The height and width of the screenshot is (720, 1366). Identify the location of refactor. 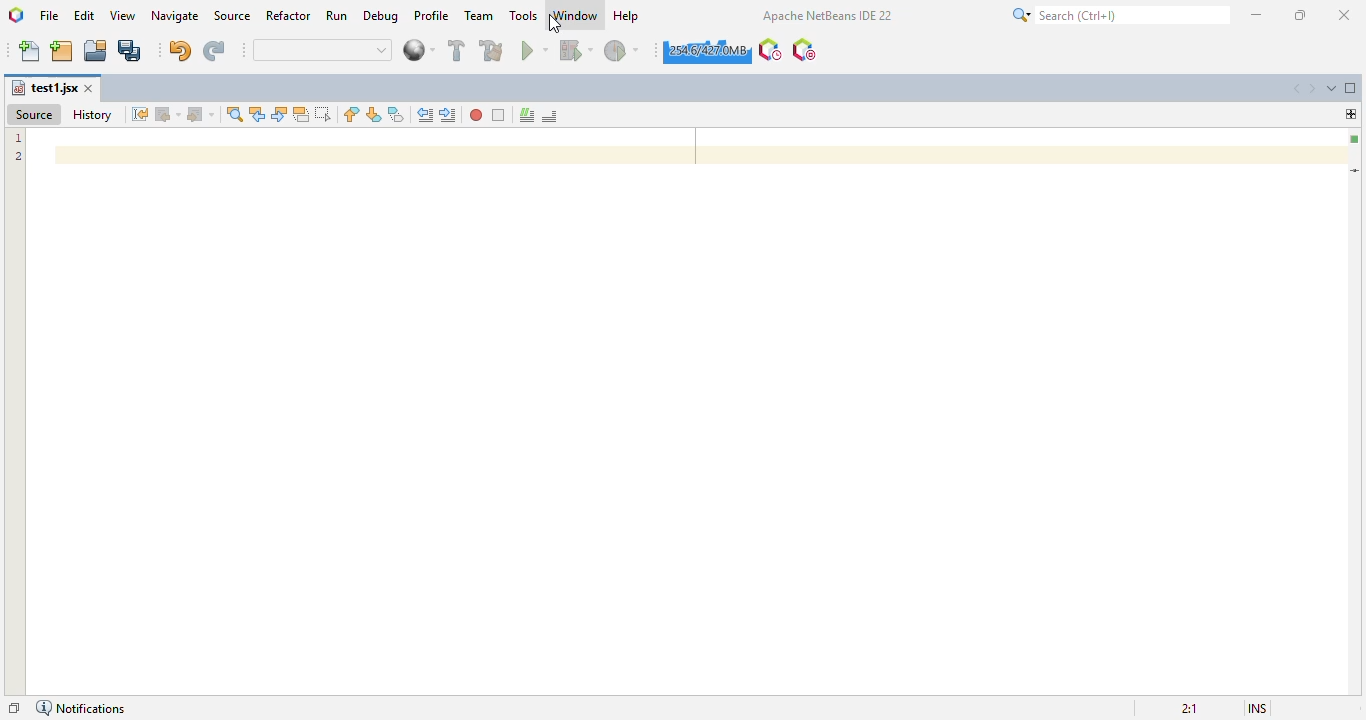
(289, 15).